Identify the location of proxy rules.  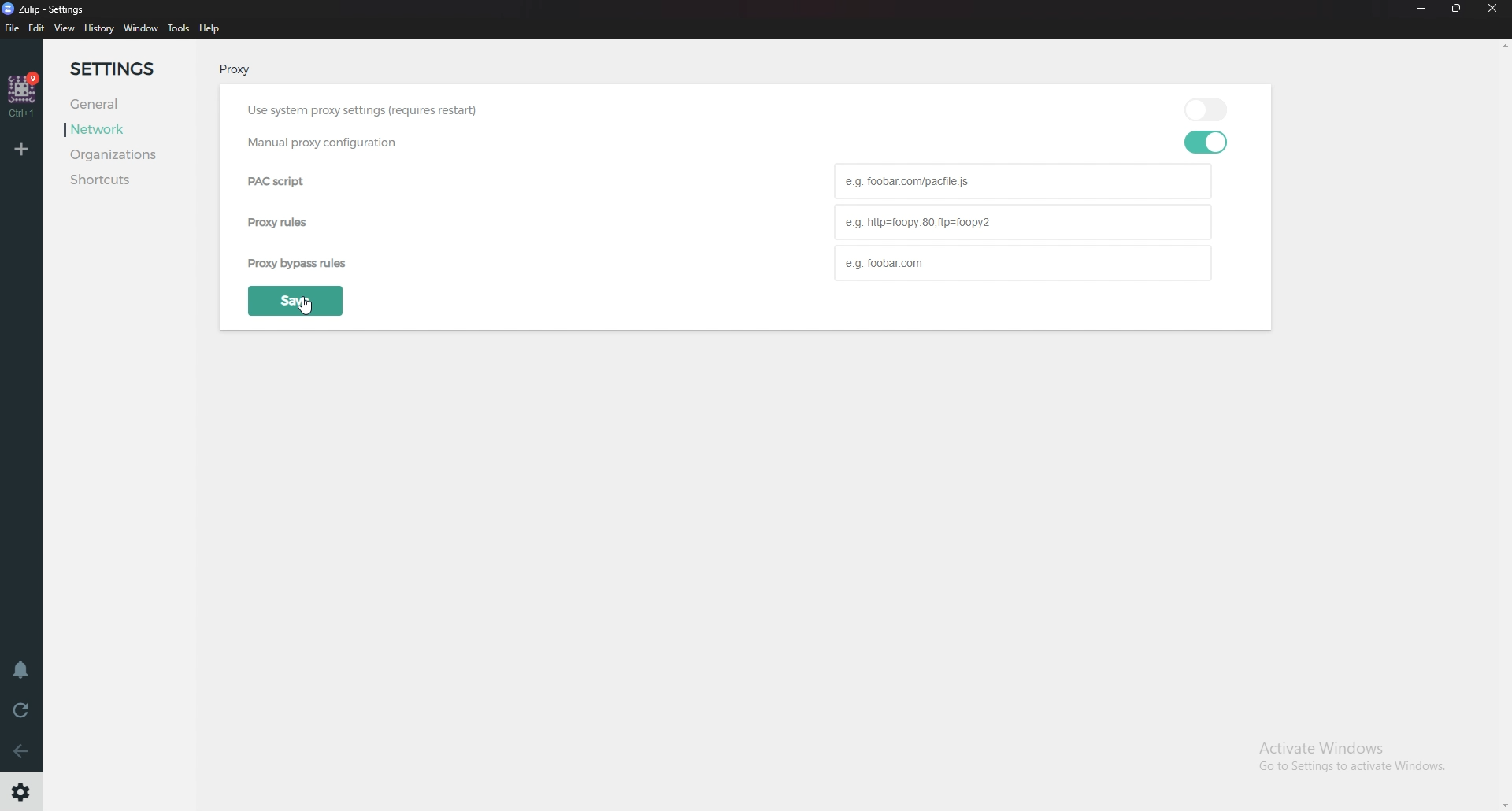
(279, 225).